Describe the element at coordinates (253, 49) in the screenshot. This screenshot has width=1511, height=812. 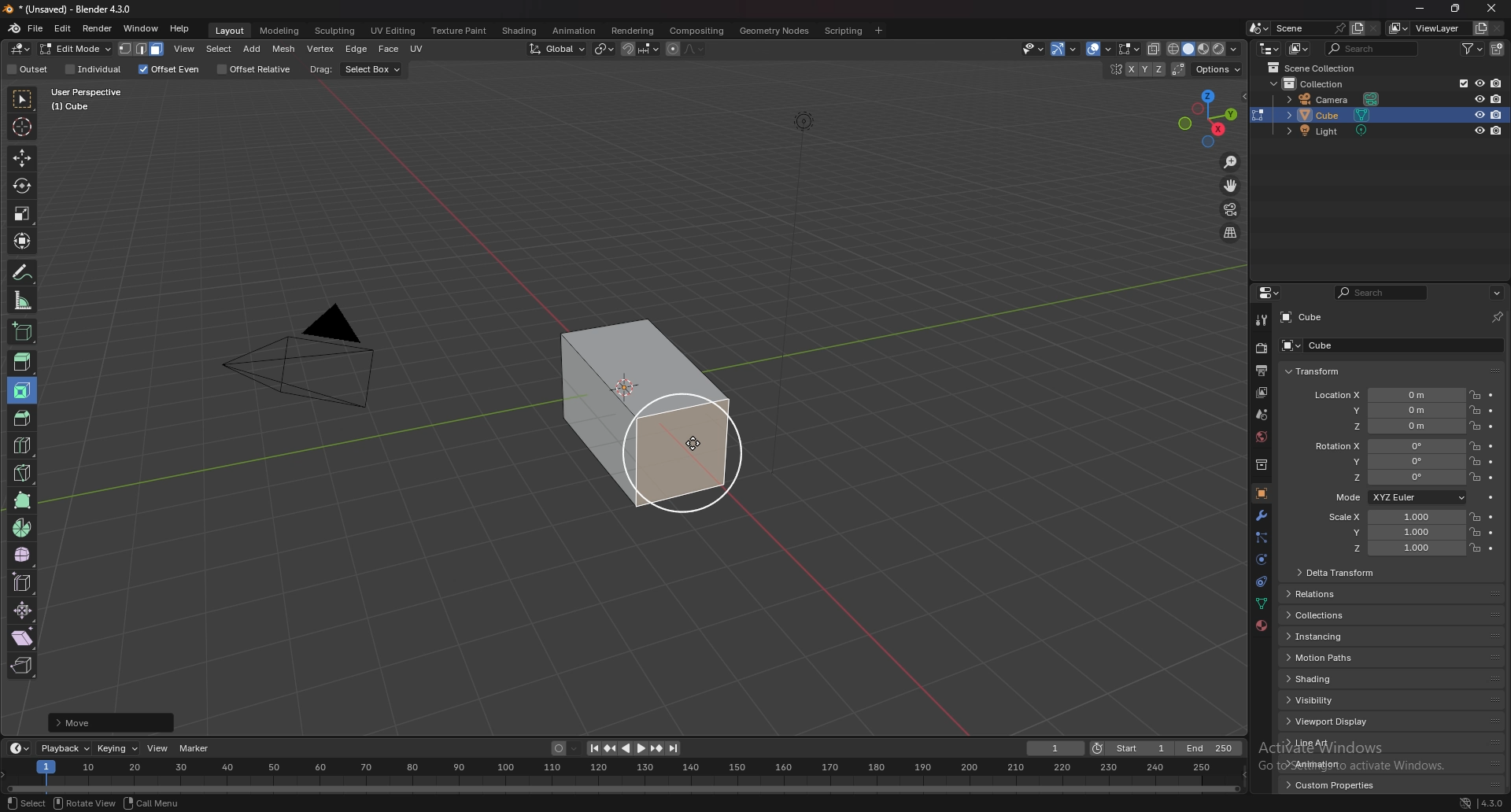
I see `add` at that location.